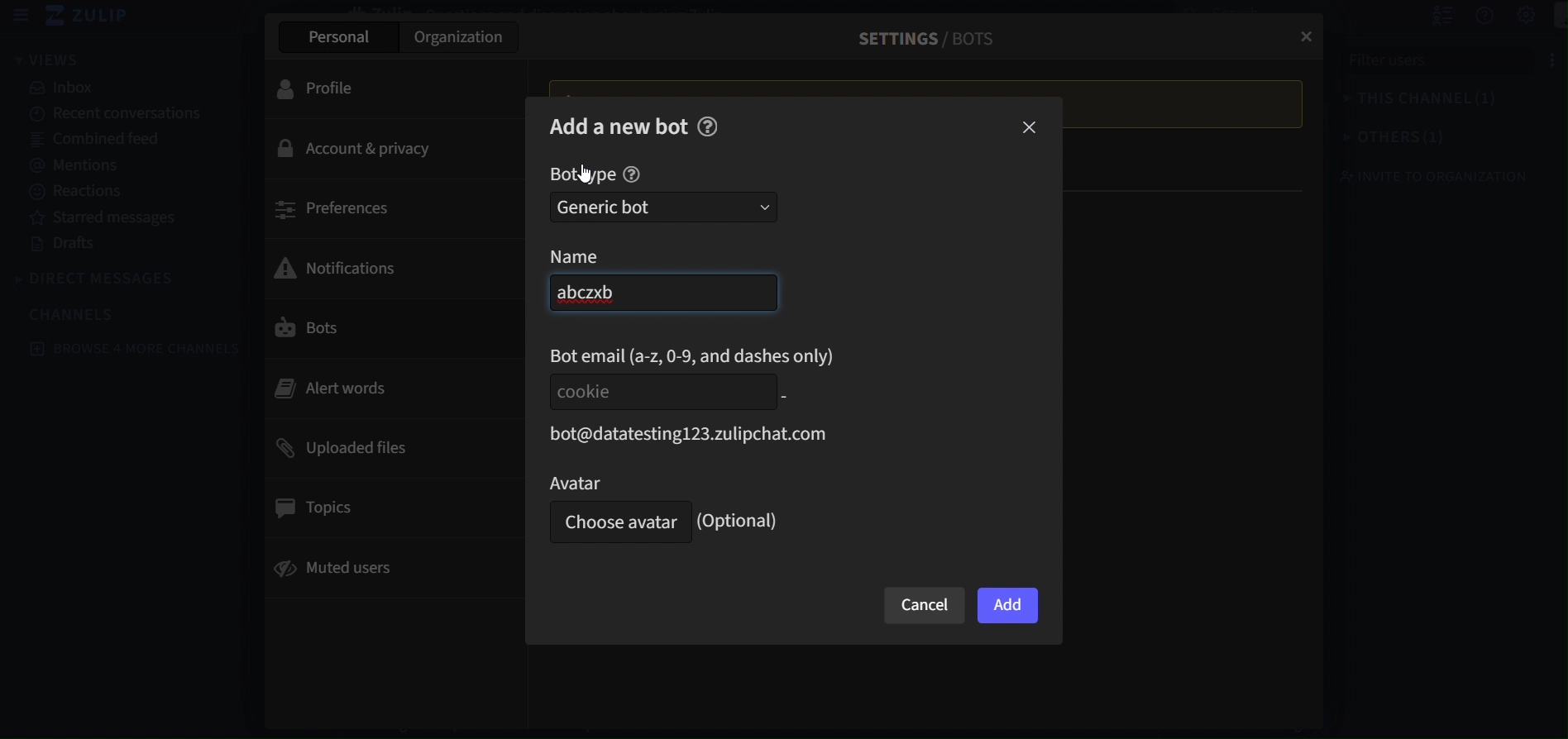 The width and height of the screenshot is (1568, 739). Describe the element at coordinates (595, 256) in the screenshot. I see `name` at that location.